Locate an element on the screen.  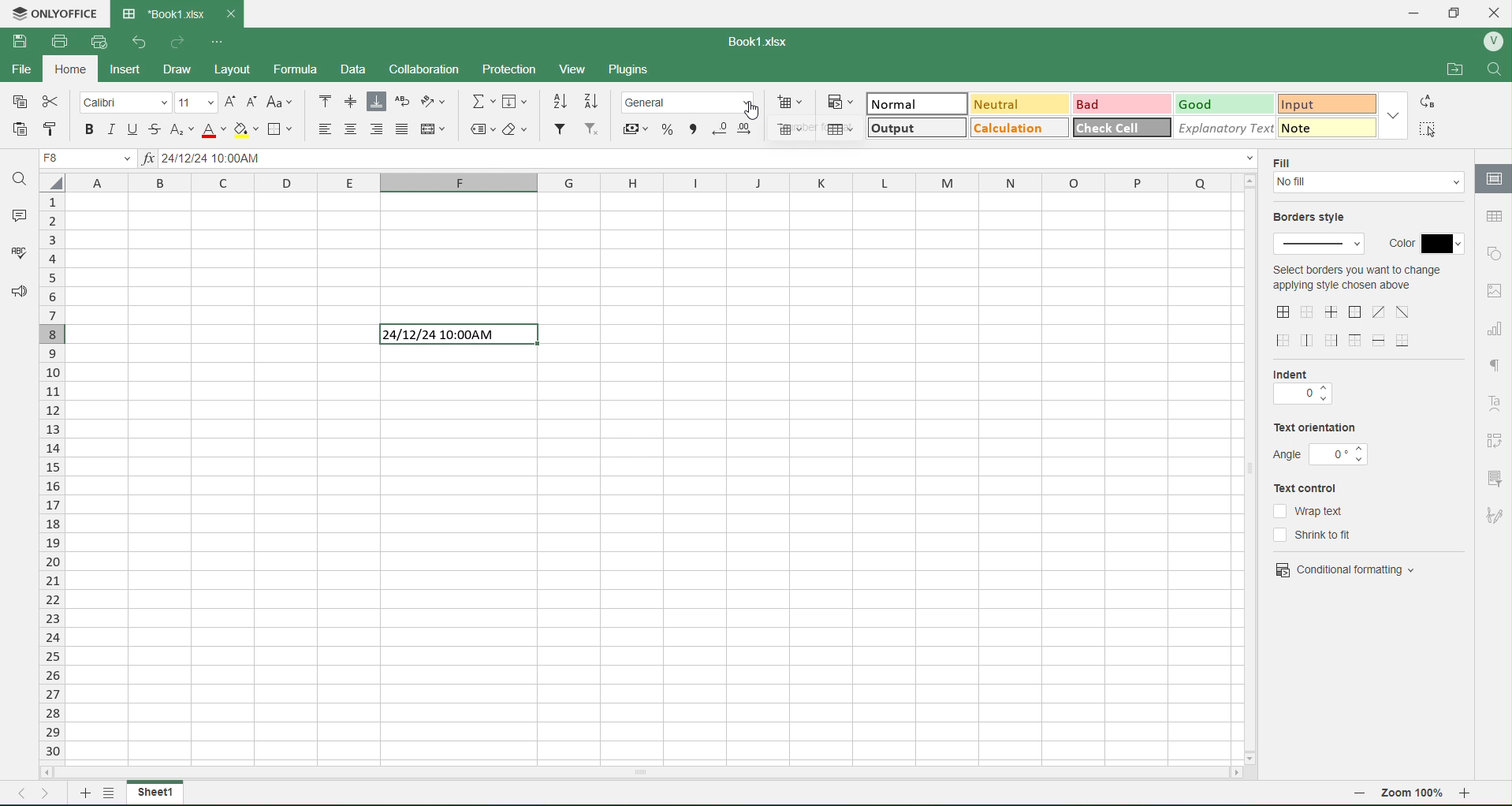
Italic is located at coordinates (110, 129).